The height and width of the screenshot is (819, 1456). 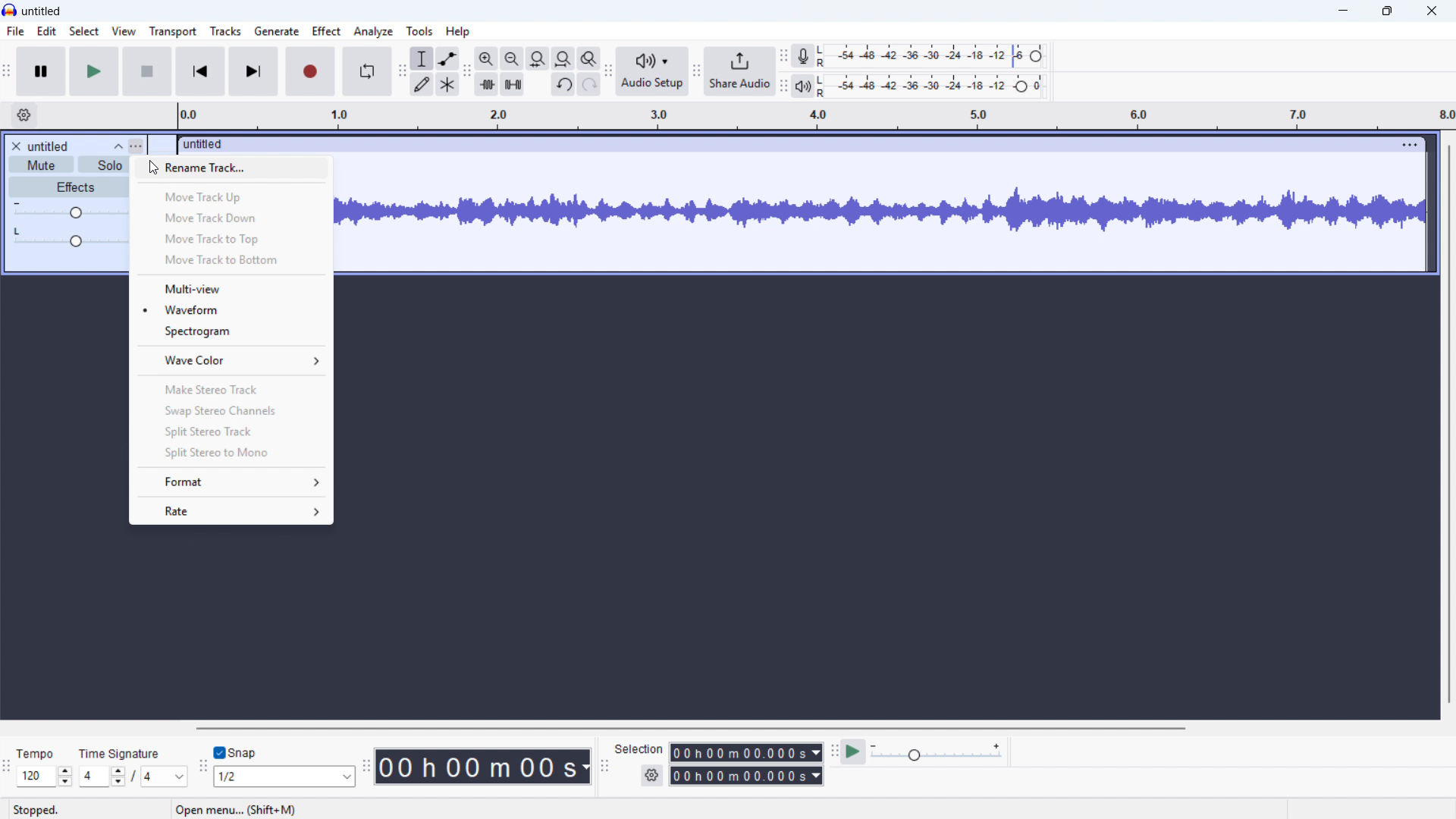 What do you see at coordinates (457, 32) in the screenshot?
I see `help ` at bounding box center [457, 32].